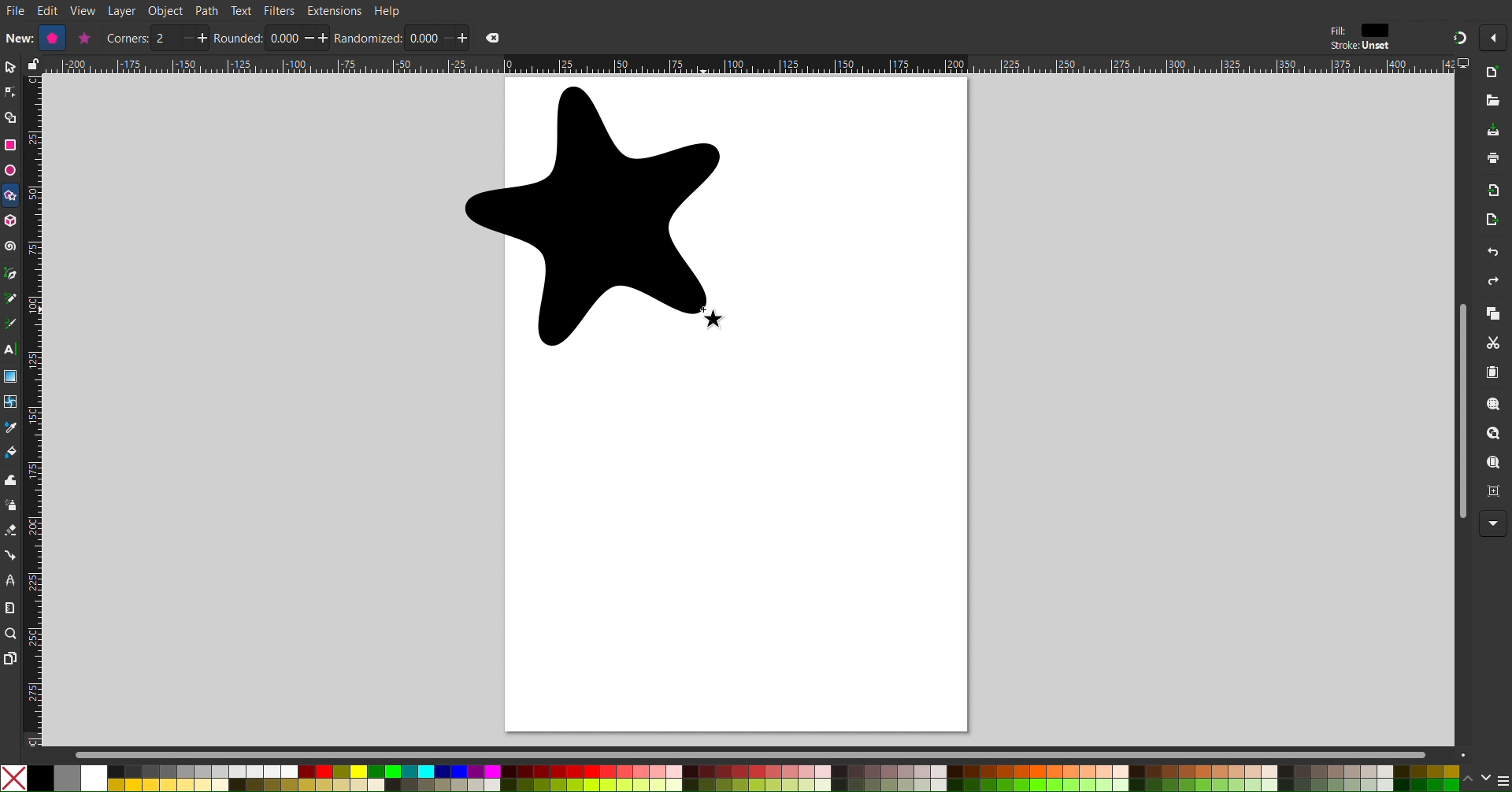 Image resolution: width=1512 pixels, height=792 pixels. I want to click on 0, so click(422, 38).